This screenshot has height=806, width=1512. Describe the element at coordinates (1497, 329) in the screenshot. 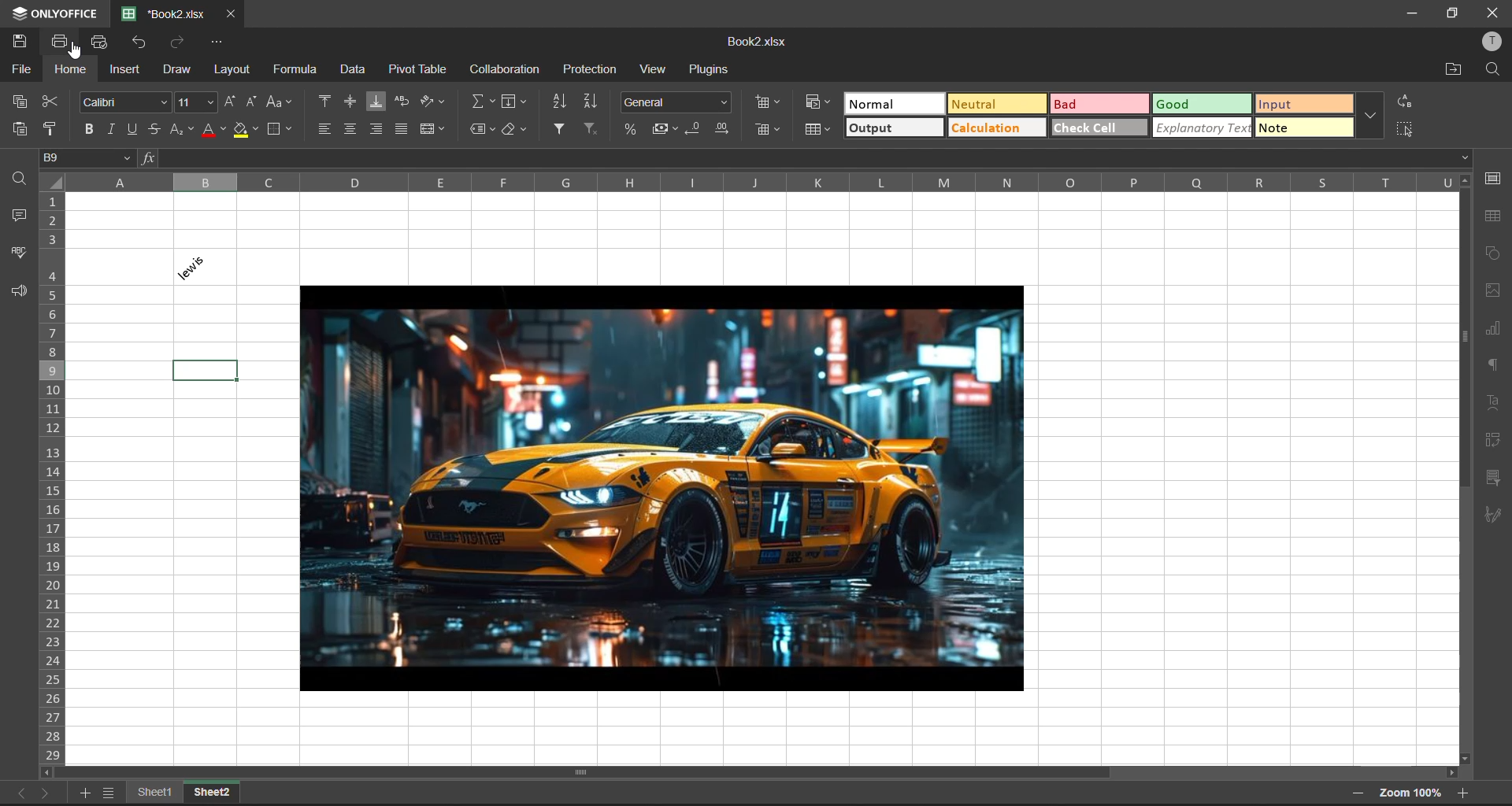

I see `charts` at that location.